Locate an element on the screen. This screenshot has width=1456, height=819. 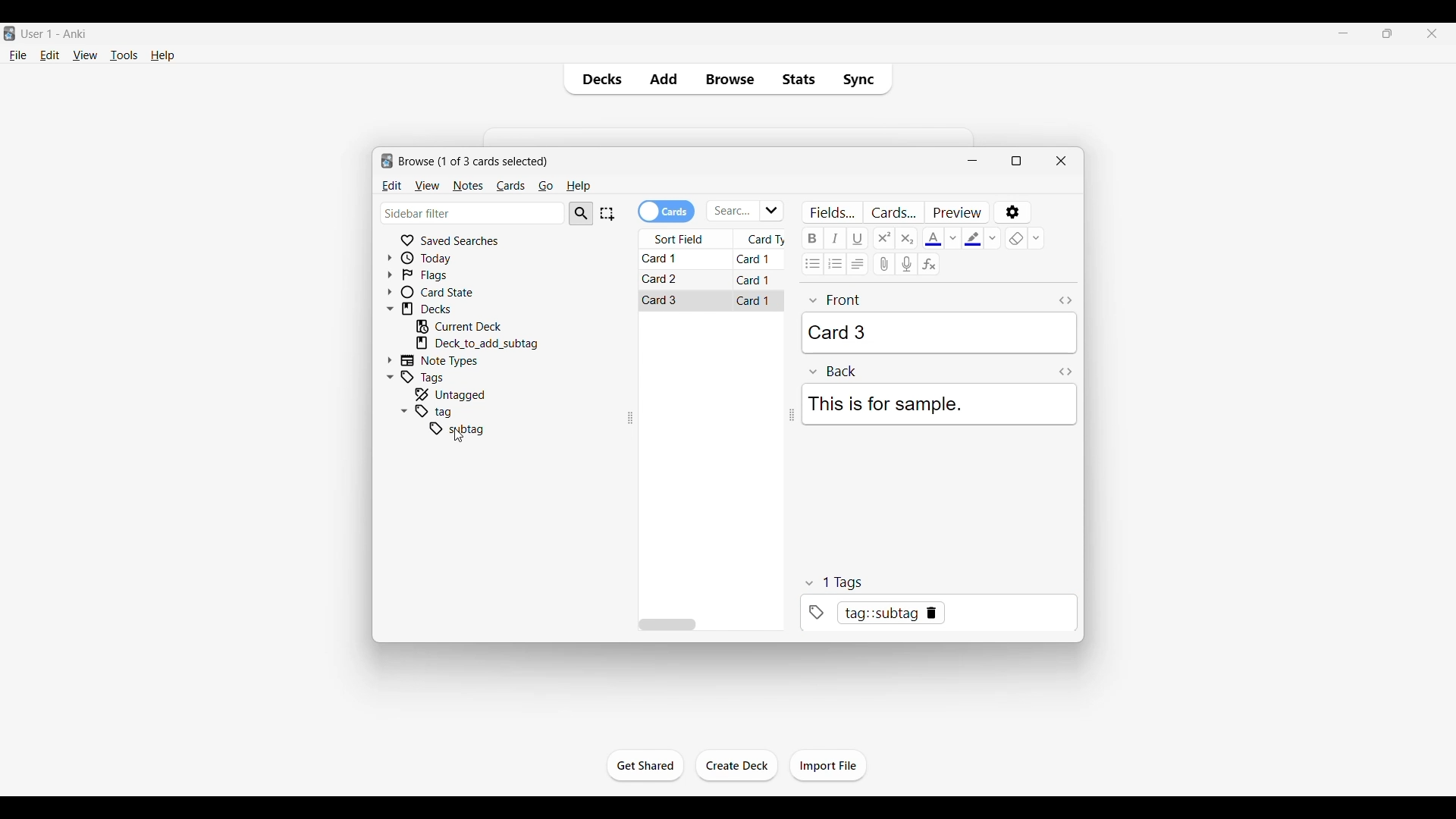
Cards menu is located at coordinates (510, 187).